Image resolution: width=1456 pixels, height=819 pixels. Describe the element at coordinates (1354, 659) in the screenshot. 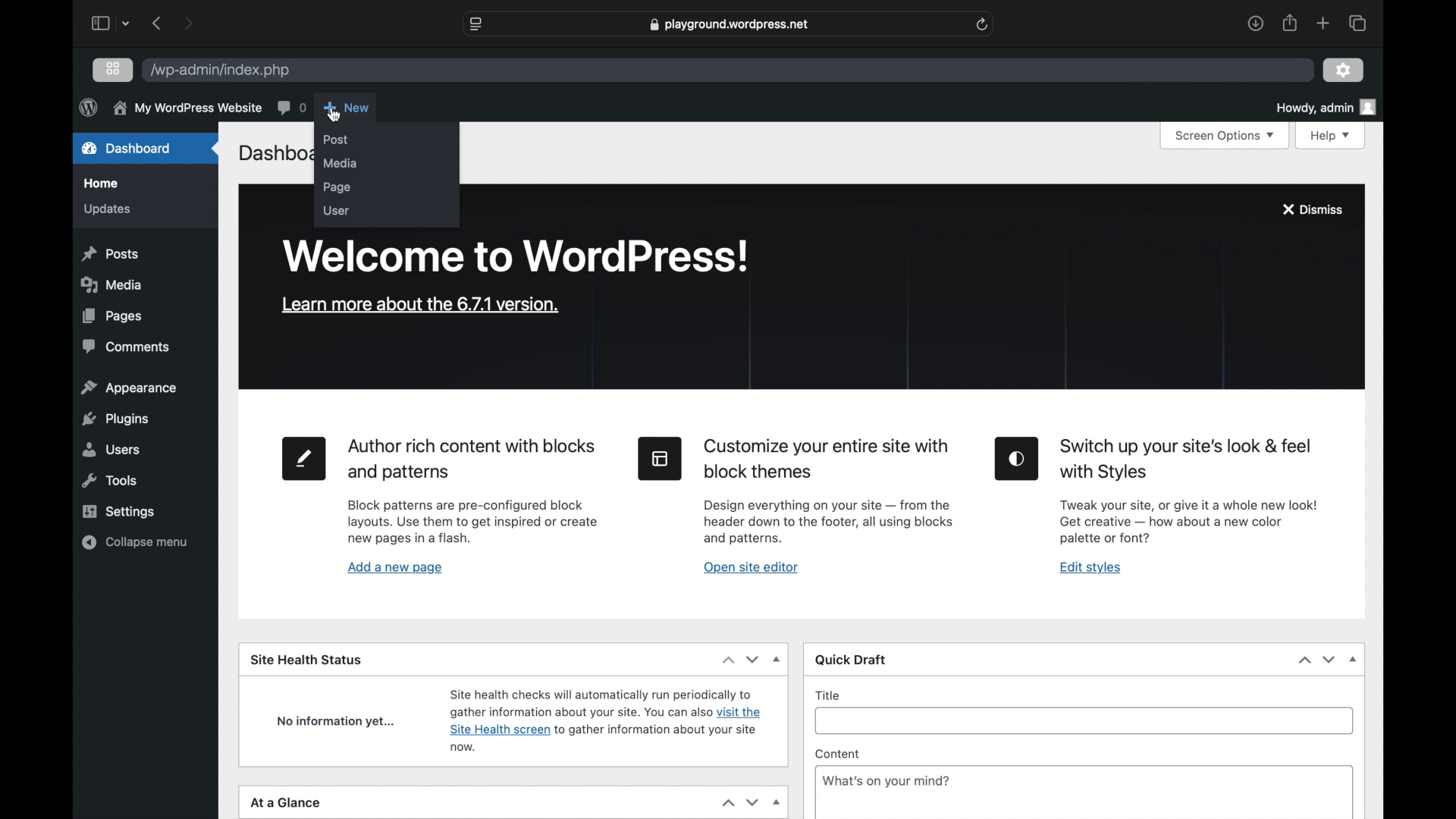

I see `dropdown` at that location.